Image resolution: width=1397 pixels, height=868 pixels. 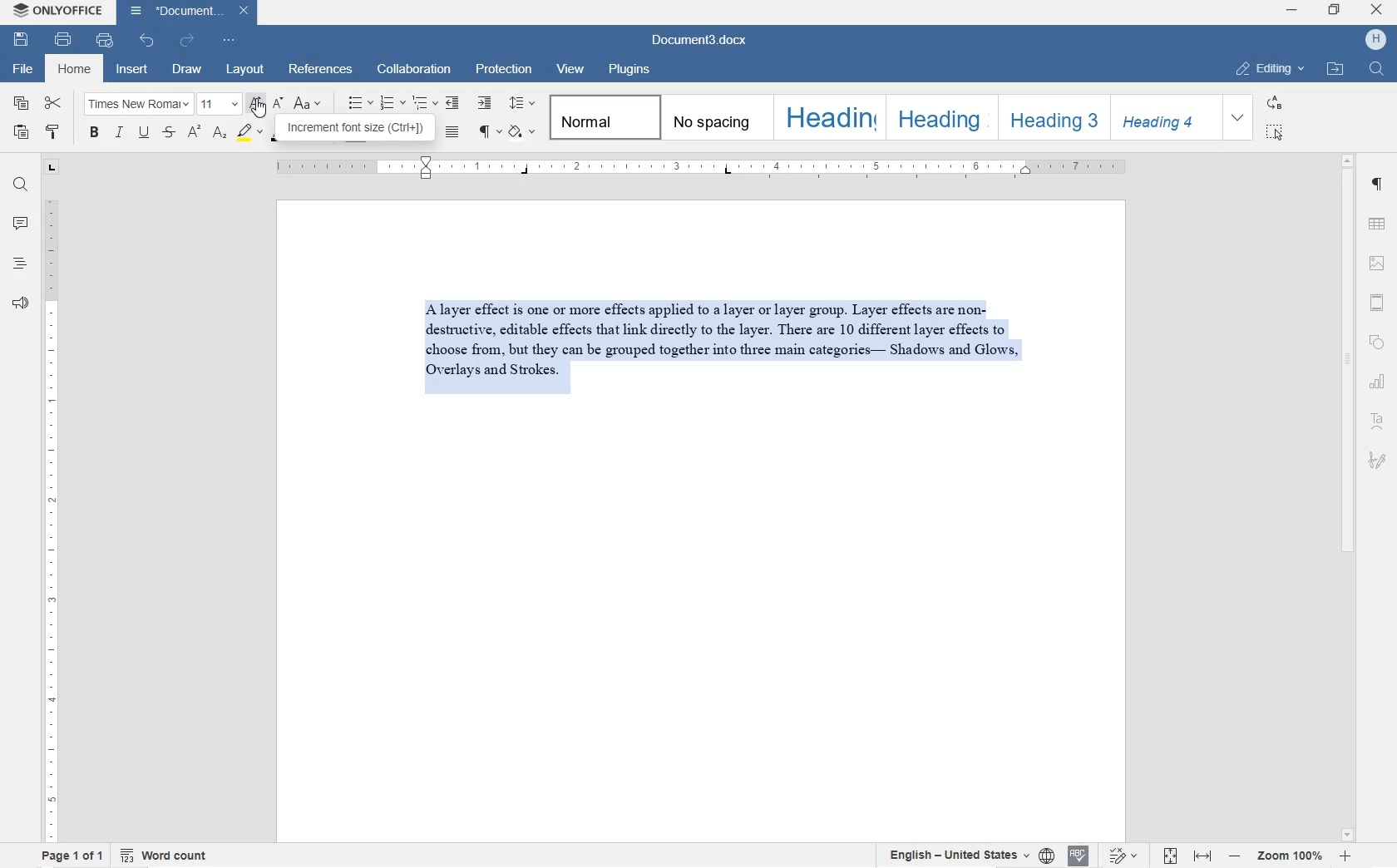 What do you see at coordinates (53, 102) in the screenshot?
I see `cut` at bounding box center [53, 102].